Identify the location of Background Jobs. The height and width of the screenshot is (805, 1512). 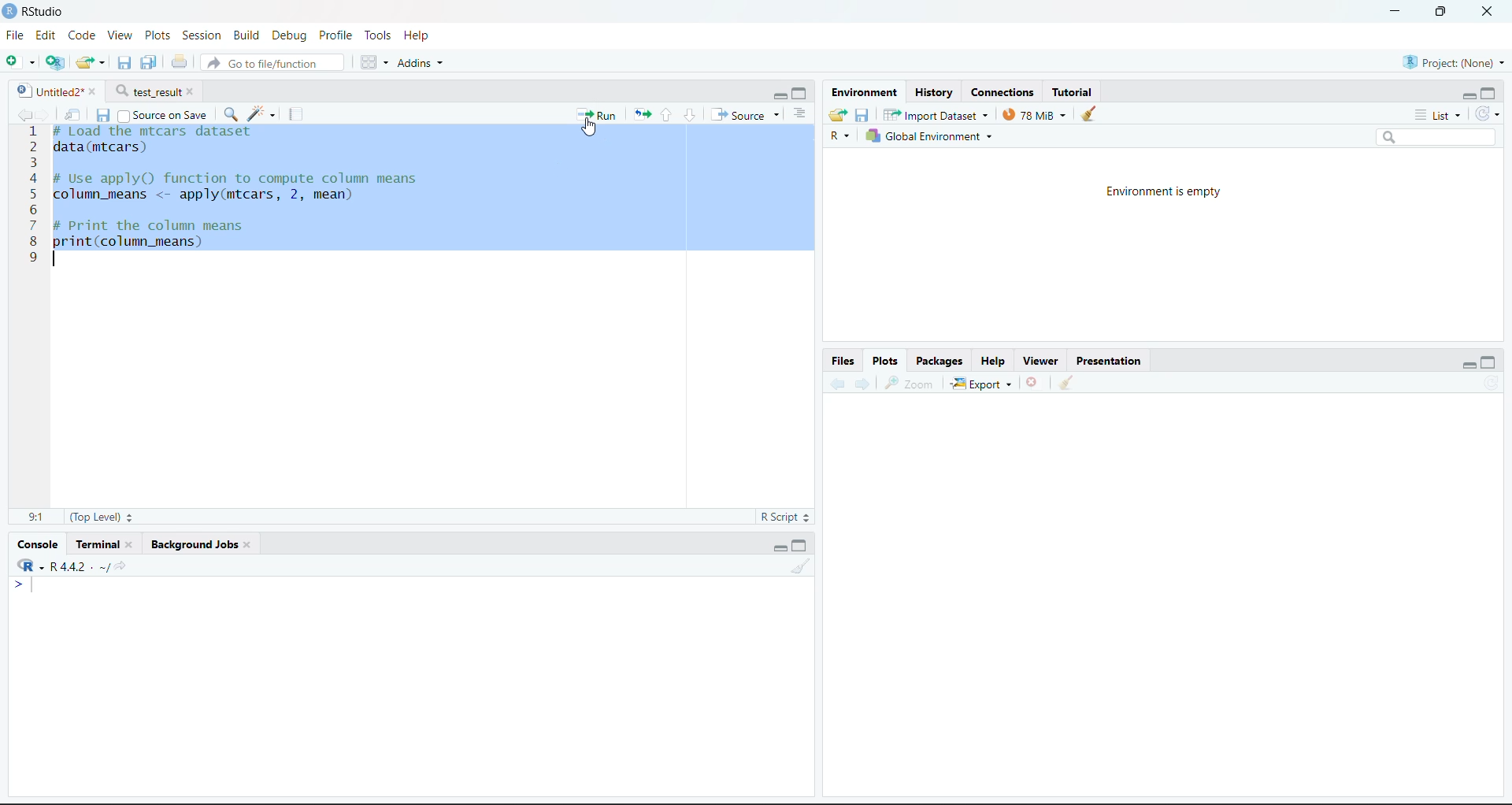
(203, 540).